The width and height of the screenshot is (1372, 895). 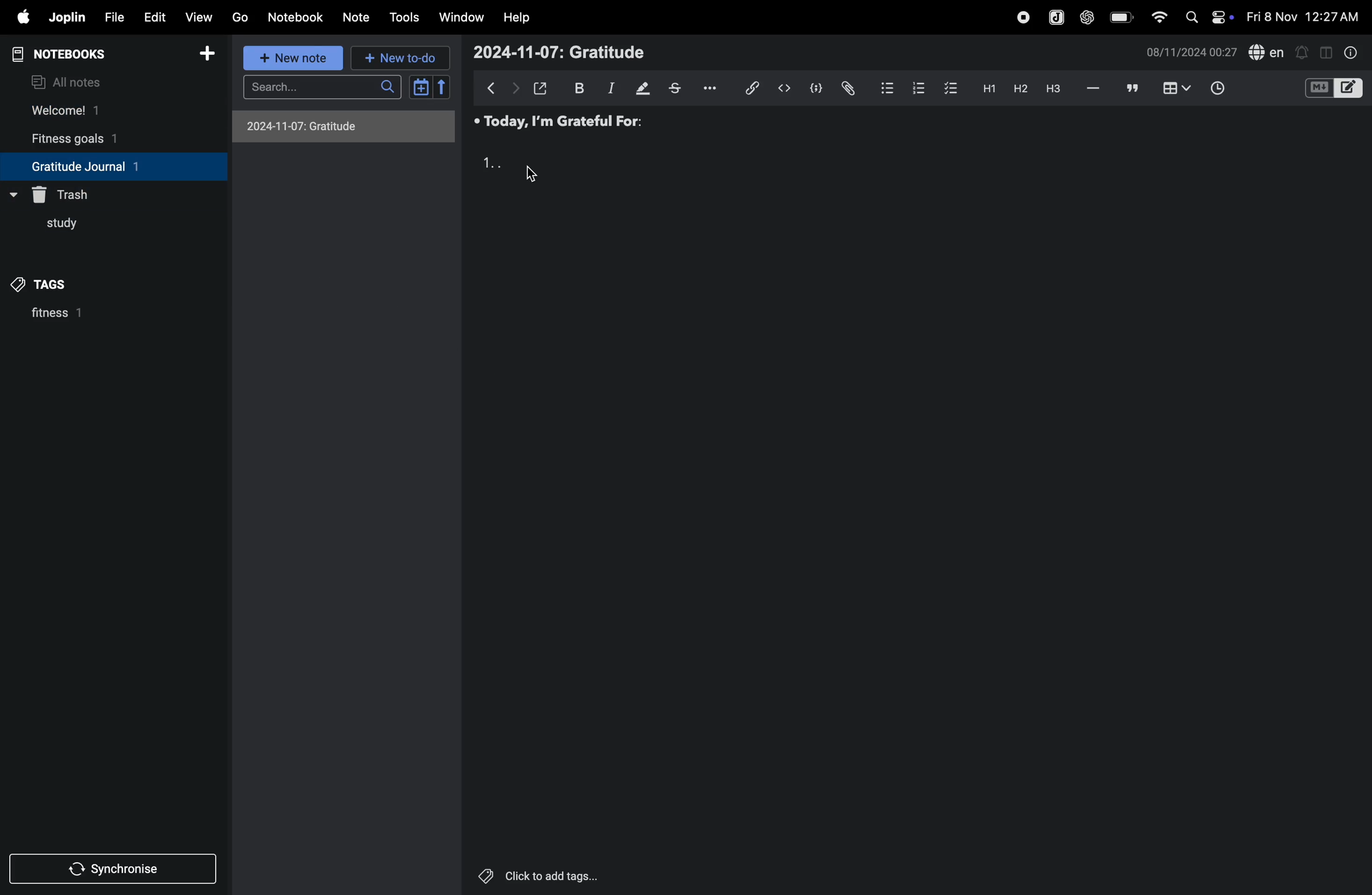 I want to click on edit, so click(x=154, y=18).